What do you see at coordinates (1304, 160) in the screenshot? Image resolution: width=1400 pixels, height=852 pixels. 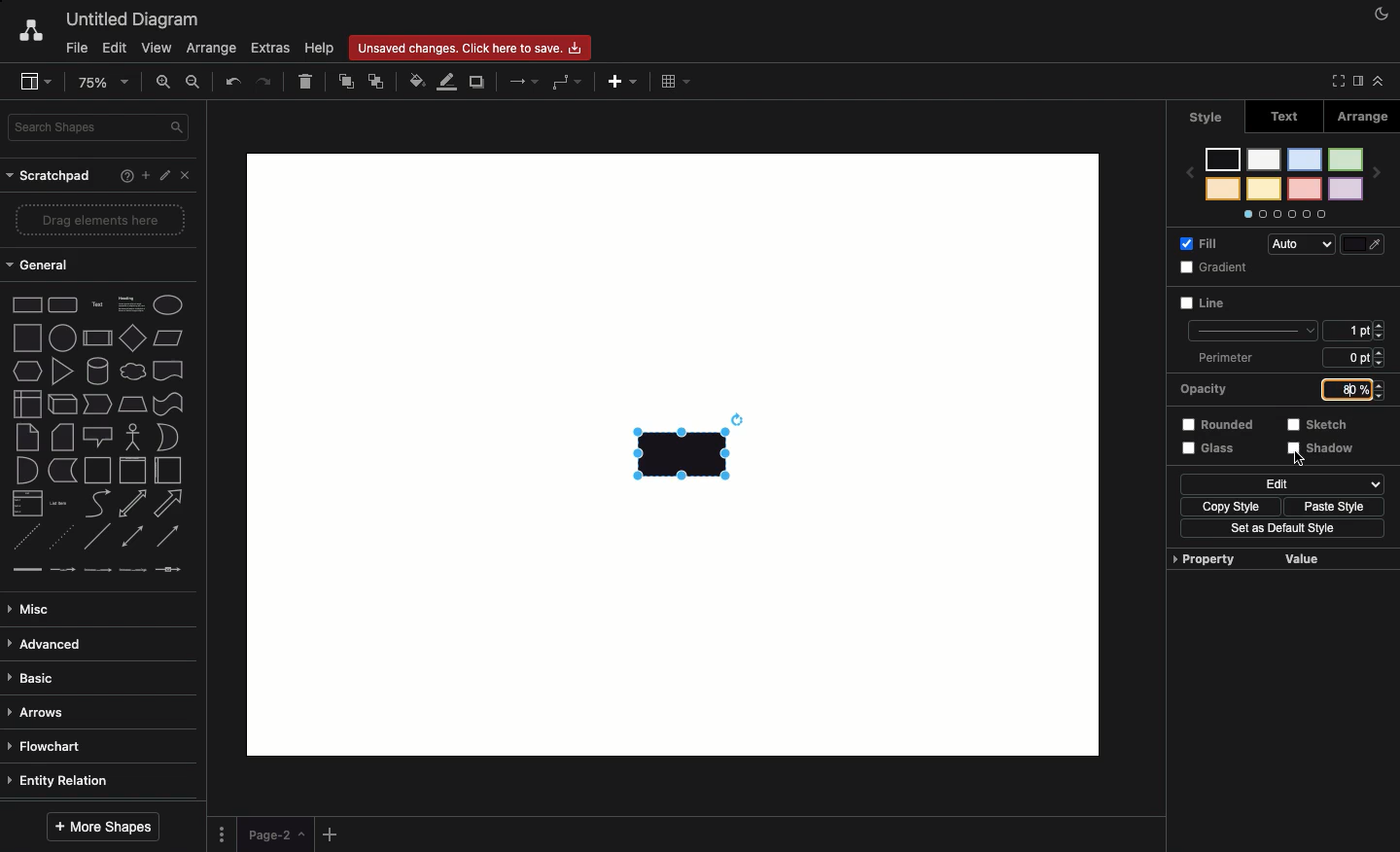 I see `color 3` at bounding box center [1304, 160].